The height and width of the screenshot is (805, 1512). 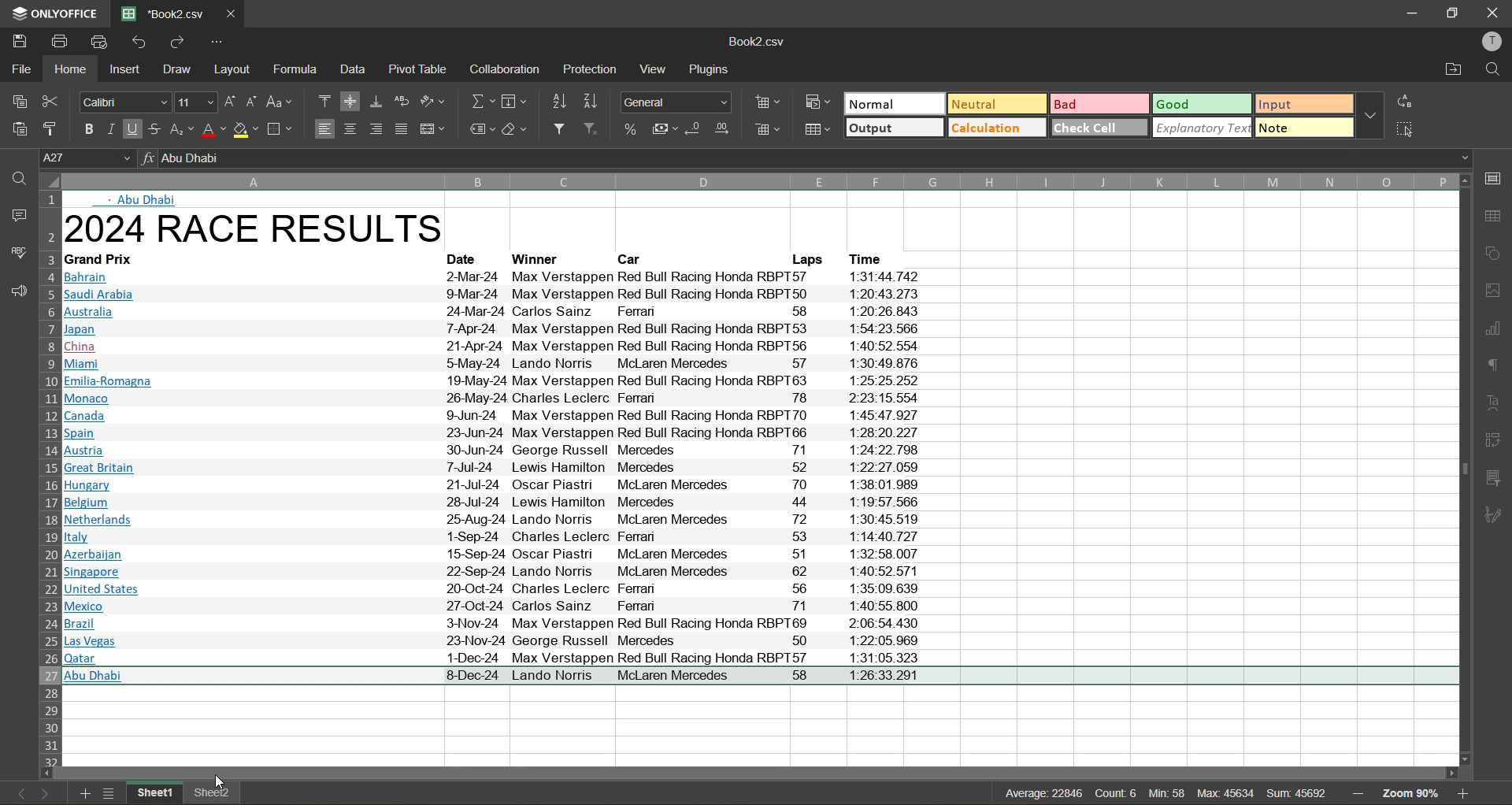 I want to click on comments, so click(x=16, y=213).